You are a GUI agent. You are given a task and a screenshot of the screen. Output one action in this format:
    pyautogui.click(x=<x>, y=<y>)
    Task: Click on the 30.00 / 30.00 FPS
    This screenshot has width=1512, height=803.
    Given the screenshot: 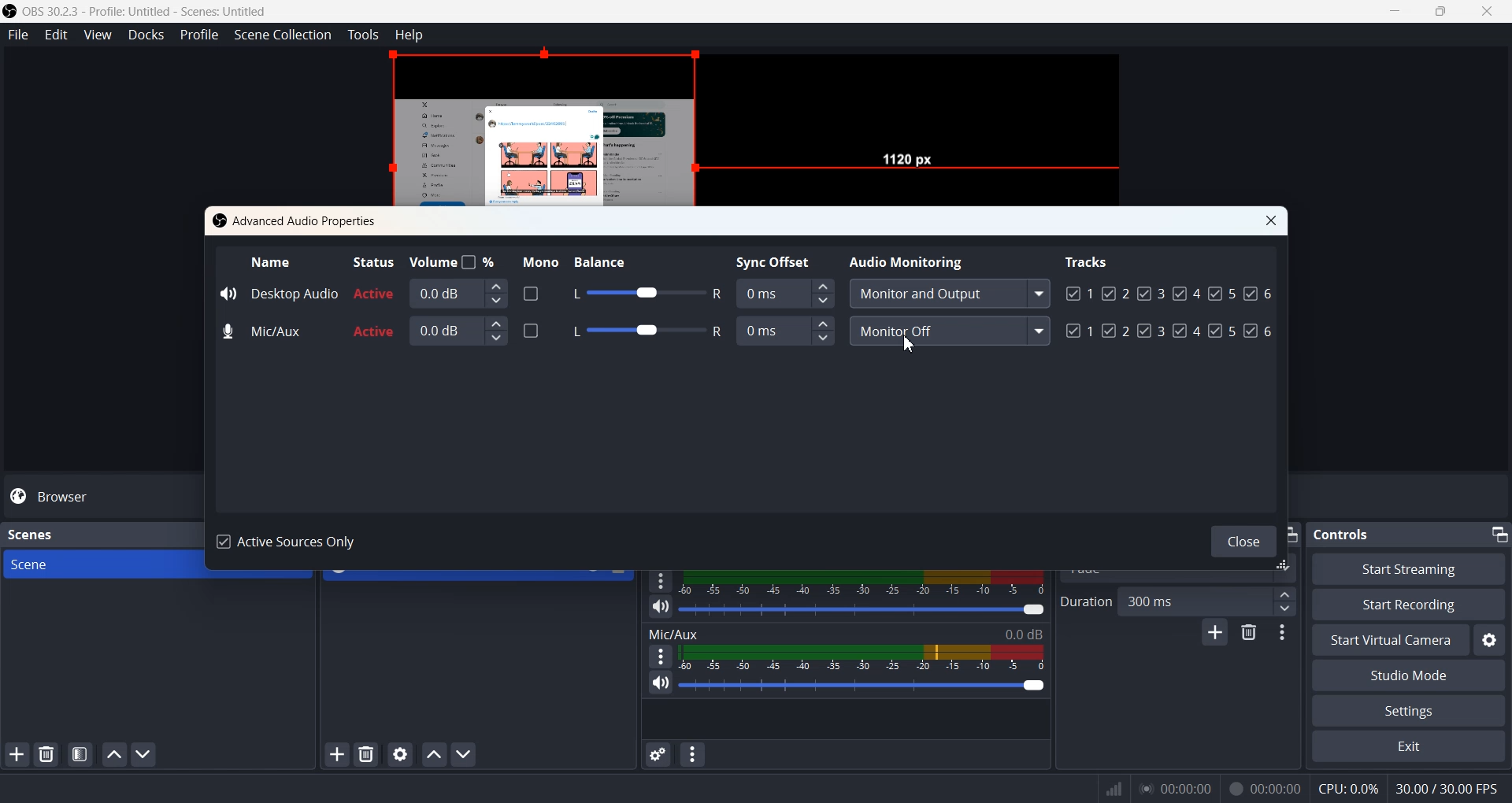 What is the action you would take?
    pyautogui.click(x=1451, y=789)
    